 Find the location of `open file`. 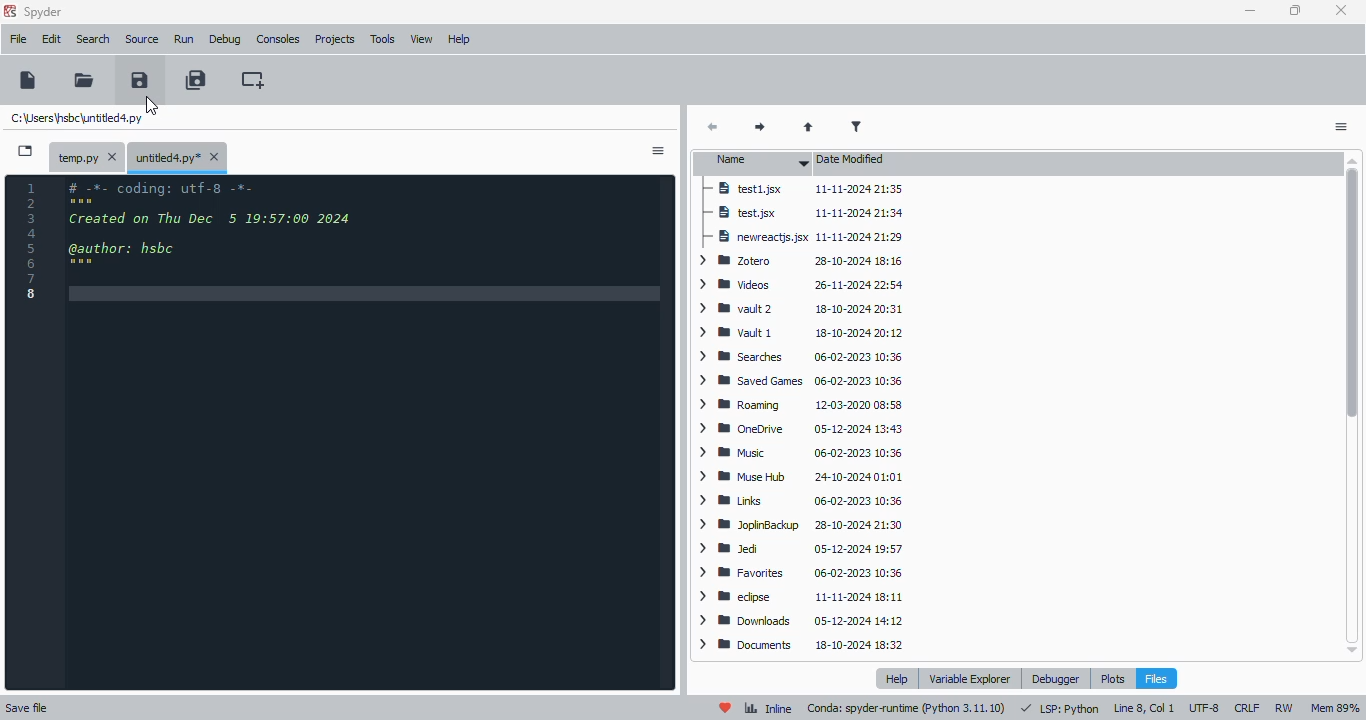

open file is located at coordinates (85, 79).